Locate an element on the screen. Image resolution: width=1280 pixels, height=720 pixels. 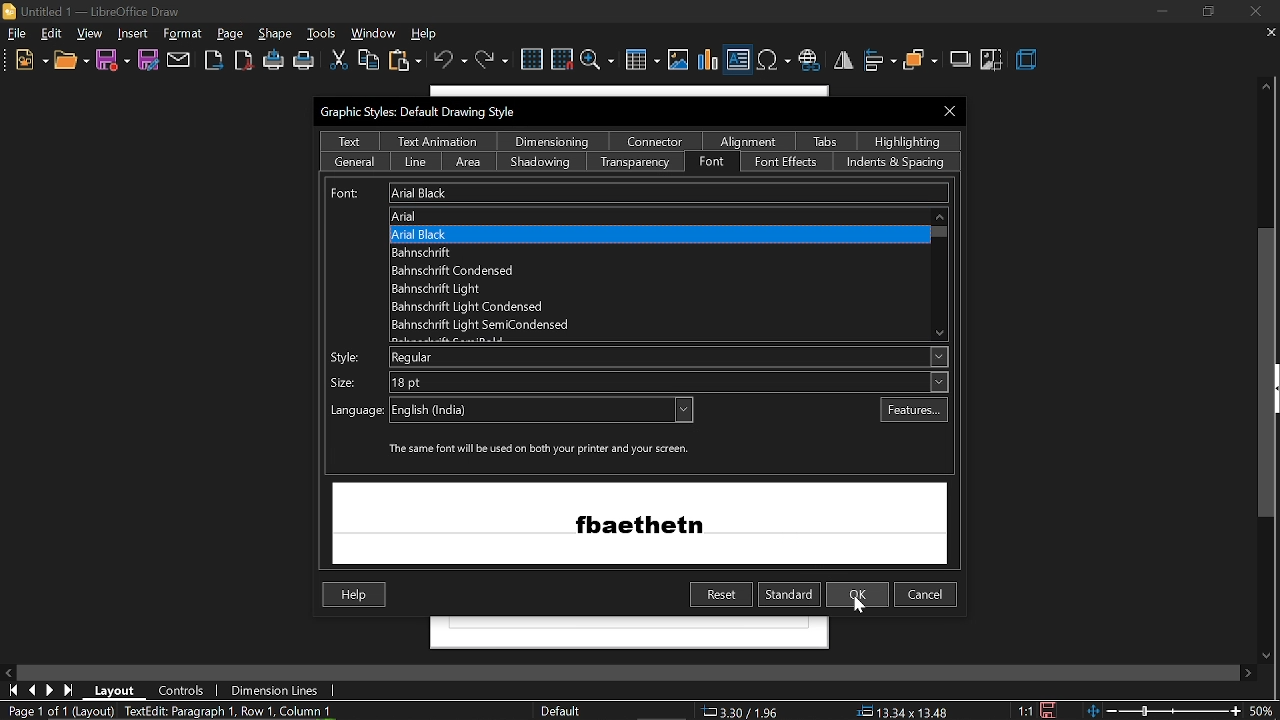
font effects is located at coordinates (785, 163).